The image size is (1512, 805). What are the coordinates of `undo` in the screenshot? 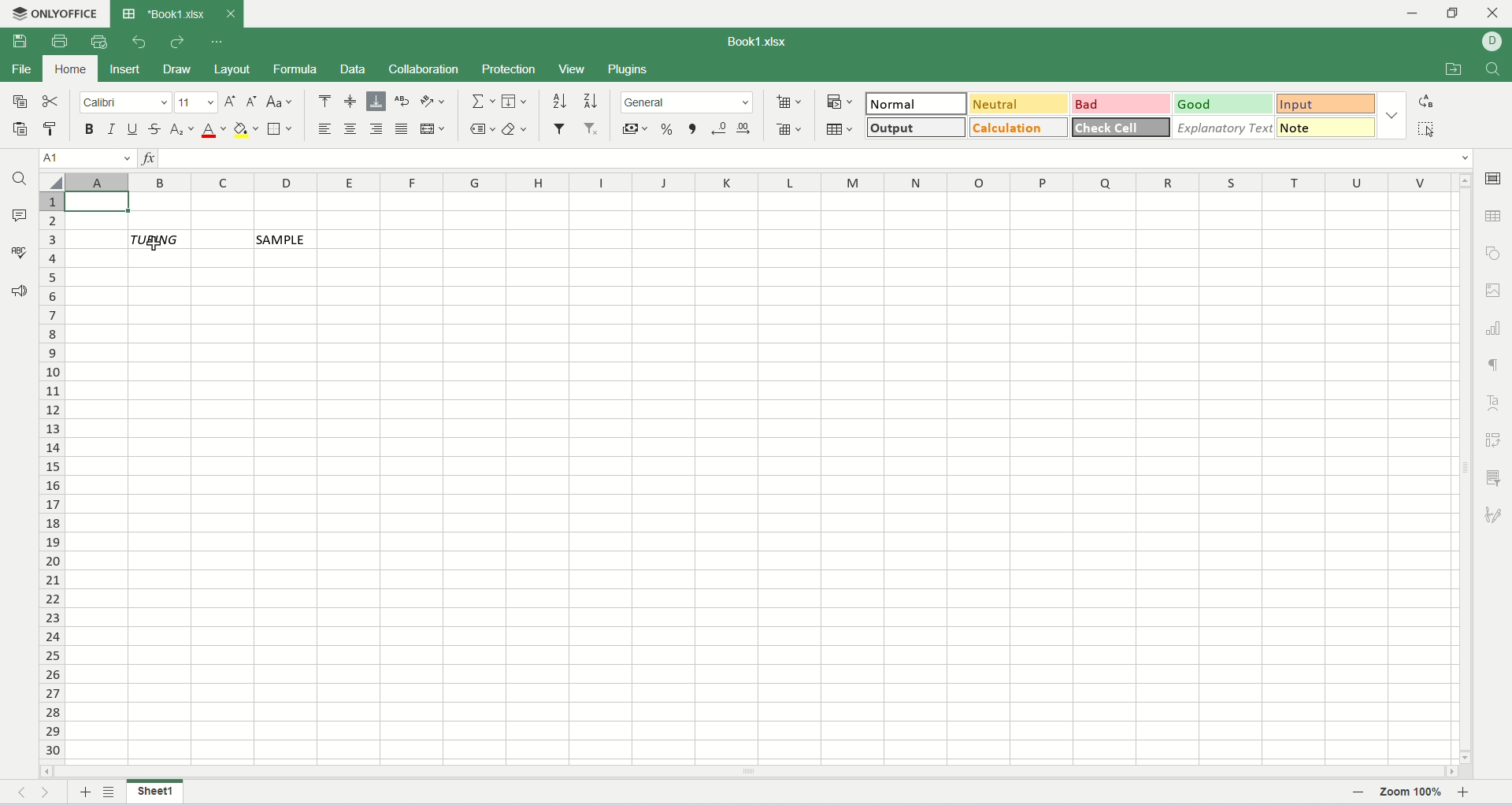 It's located at (140, 43).